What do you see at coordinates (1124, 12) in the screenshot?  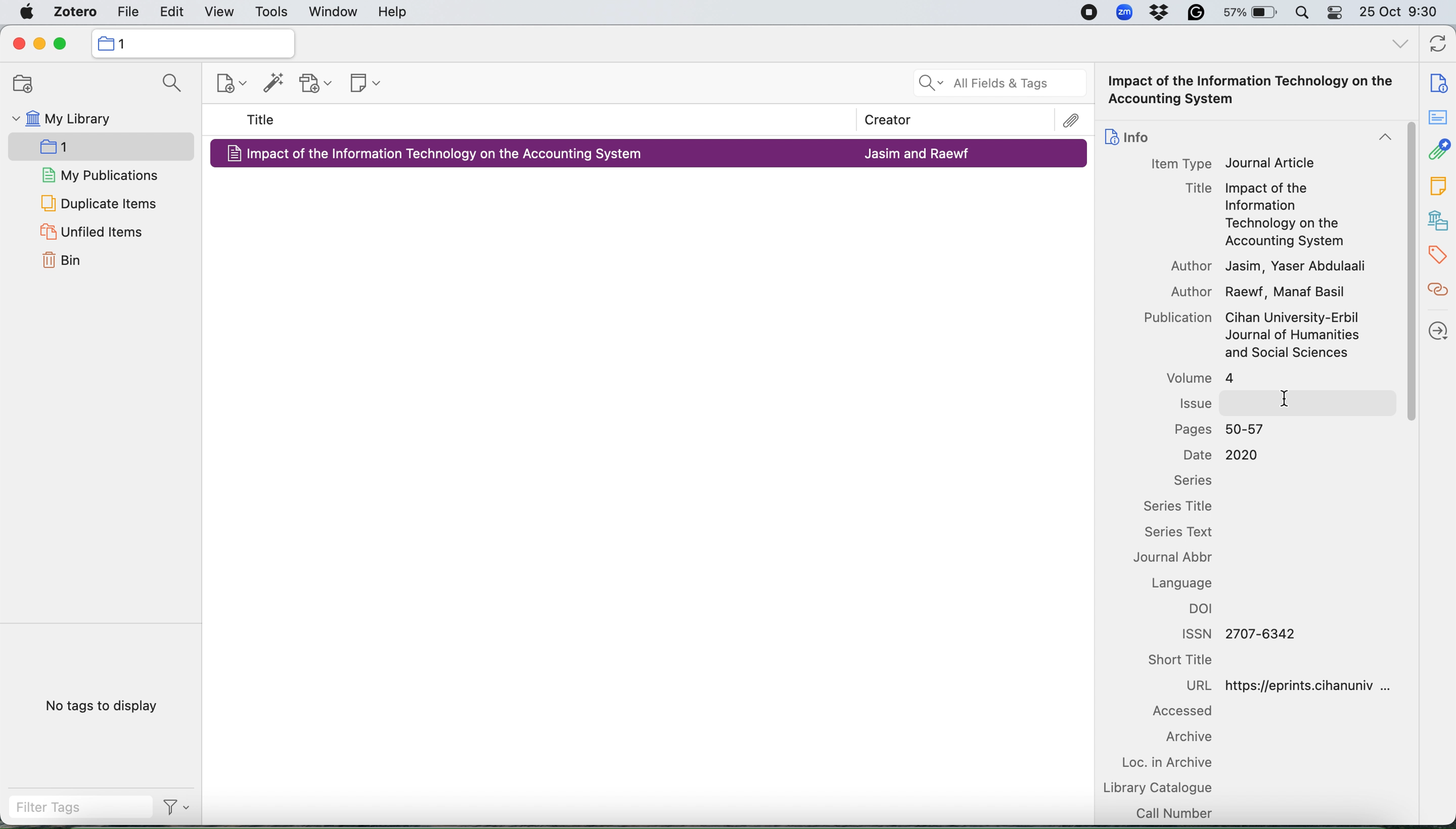 I see `zoom` at bounding box center [1124, 12].